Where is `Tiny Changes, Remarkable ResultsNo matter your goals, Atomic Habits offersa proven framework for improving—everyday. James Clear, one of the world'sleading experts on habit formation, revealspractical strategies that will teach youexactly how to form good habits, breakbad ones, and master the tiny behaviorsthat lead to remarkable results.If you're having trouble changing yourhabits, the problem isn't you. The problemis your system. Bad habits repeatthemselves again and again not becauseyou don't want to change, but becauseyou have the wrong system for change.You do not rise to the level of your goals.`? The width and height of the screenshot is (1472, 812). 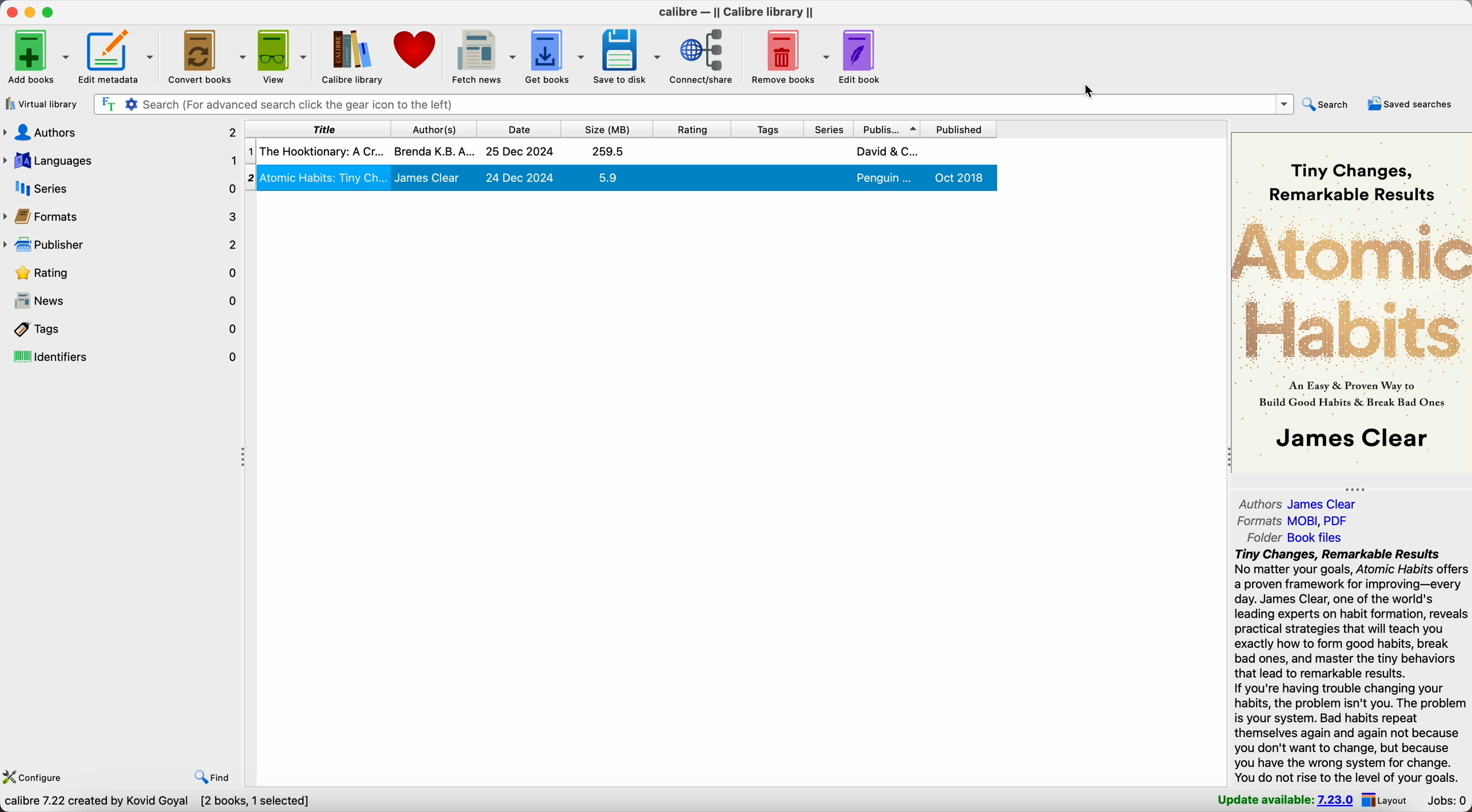 Tiny Changes, Remarkable ResultsNo matter your goals, Atomic Habits offersa proven framework for improving—everyday. James Clear, one of the world'sleading experts on habit formation, revealspractical strategies that will teach youexactly how to form good habits, breakbad ones, and master the tiny behaviorsthat lead to remarkable results.If you're having trouble changing yourhabits, the problem isn't you. The problemis your system. Bad habits repeatthemselves again and again not becauseyou don't want to change, but becauseyou have the wrong system for change.You do not rise to the level of your goals. is located at coordinates (1351, 666).